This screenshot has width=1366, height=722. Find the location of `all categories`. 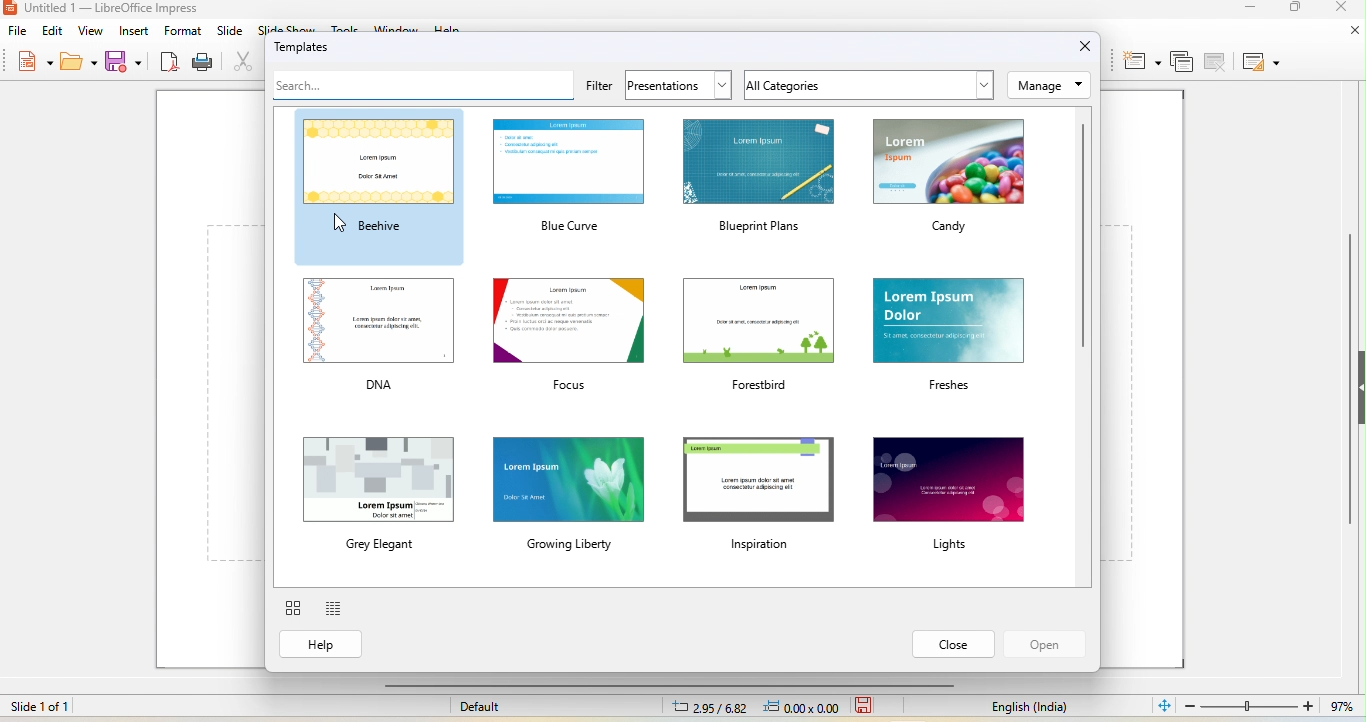

all categories is located at coordinates (869, 85).